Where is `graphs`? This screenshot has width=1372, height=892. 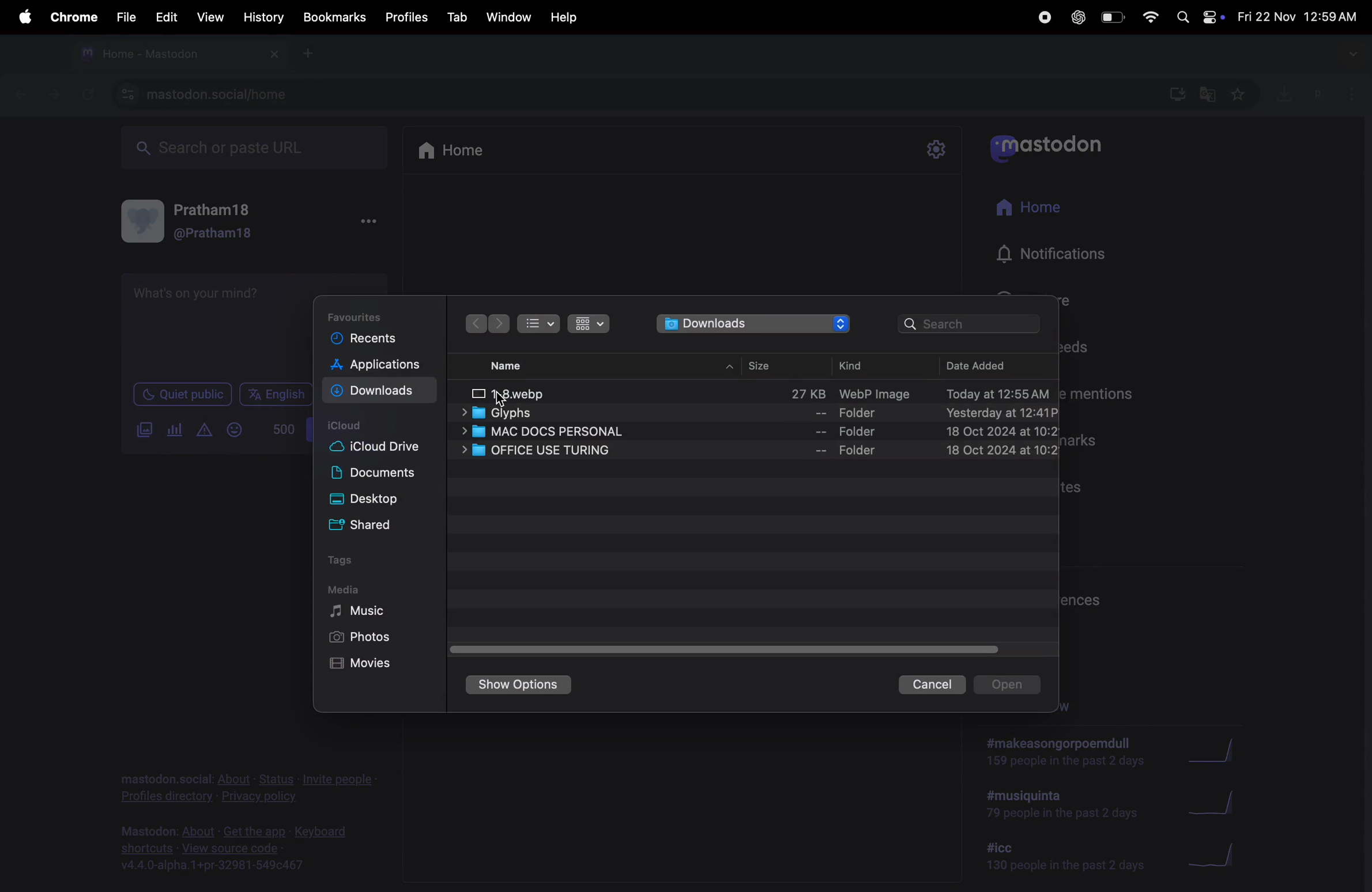
graphs is located at coordinates (1223, 803).